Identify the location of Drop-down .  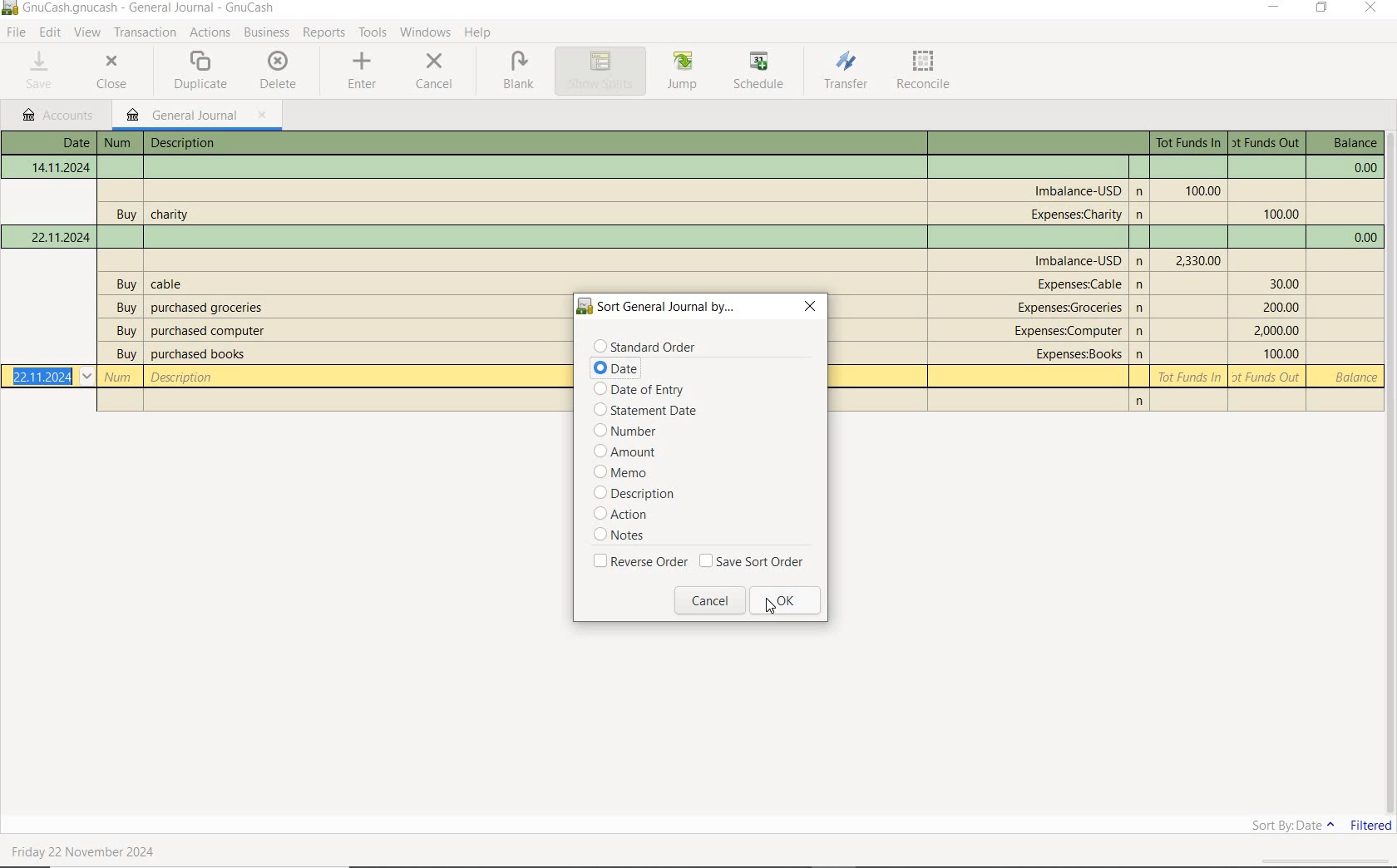
(87, 377).